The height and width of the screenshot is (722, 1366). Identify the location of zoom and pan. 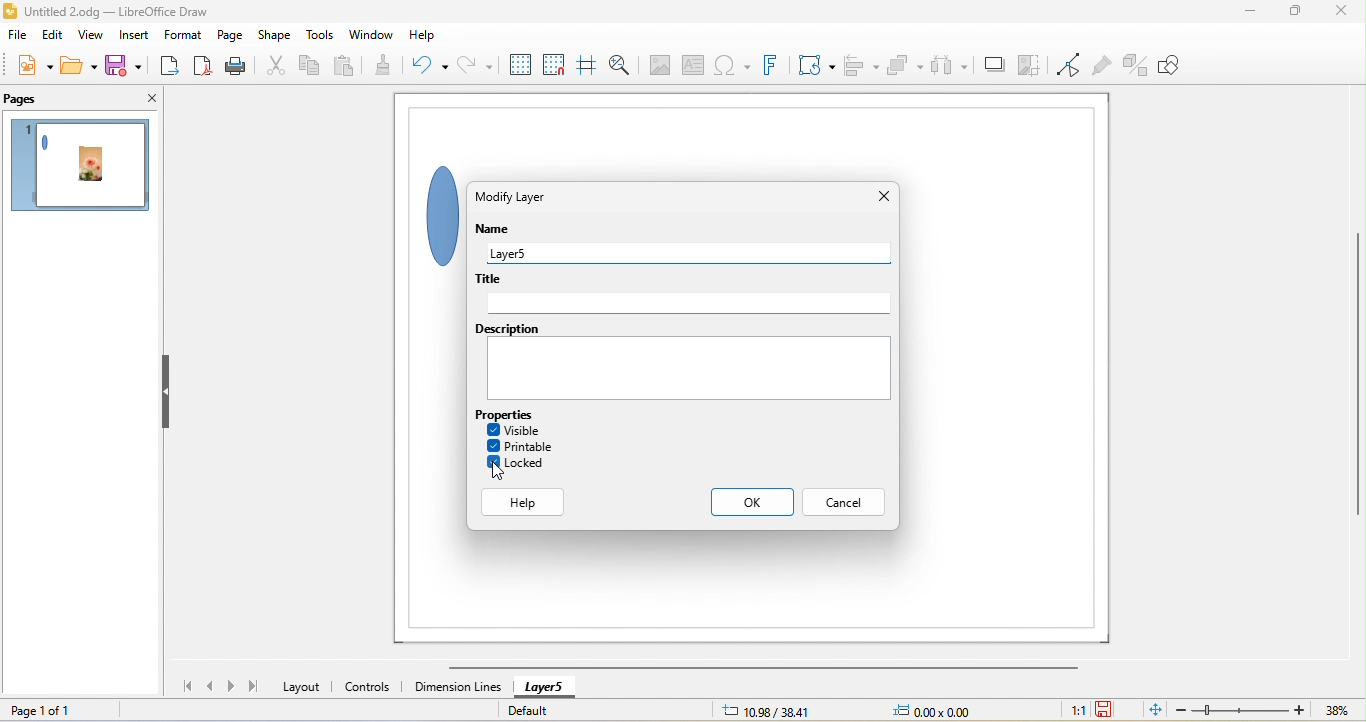
(619, 65).